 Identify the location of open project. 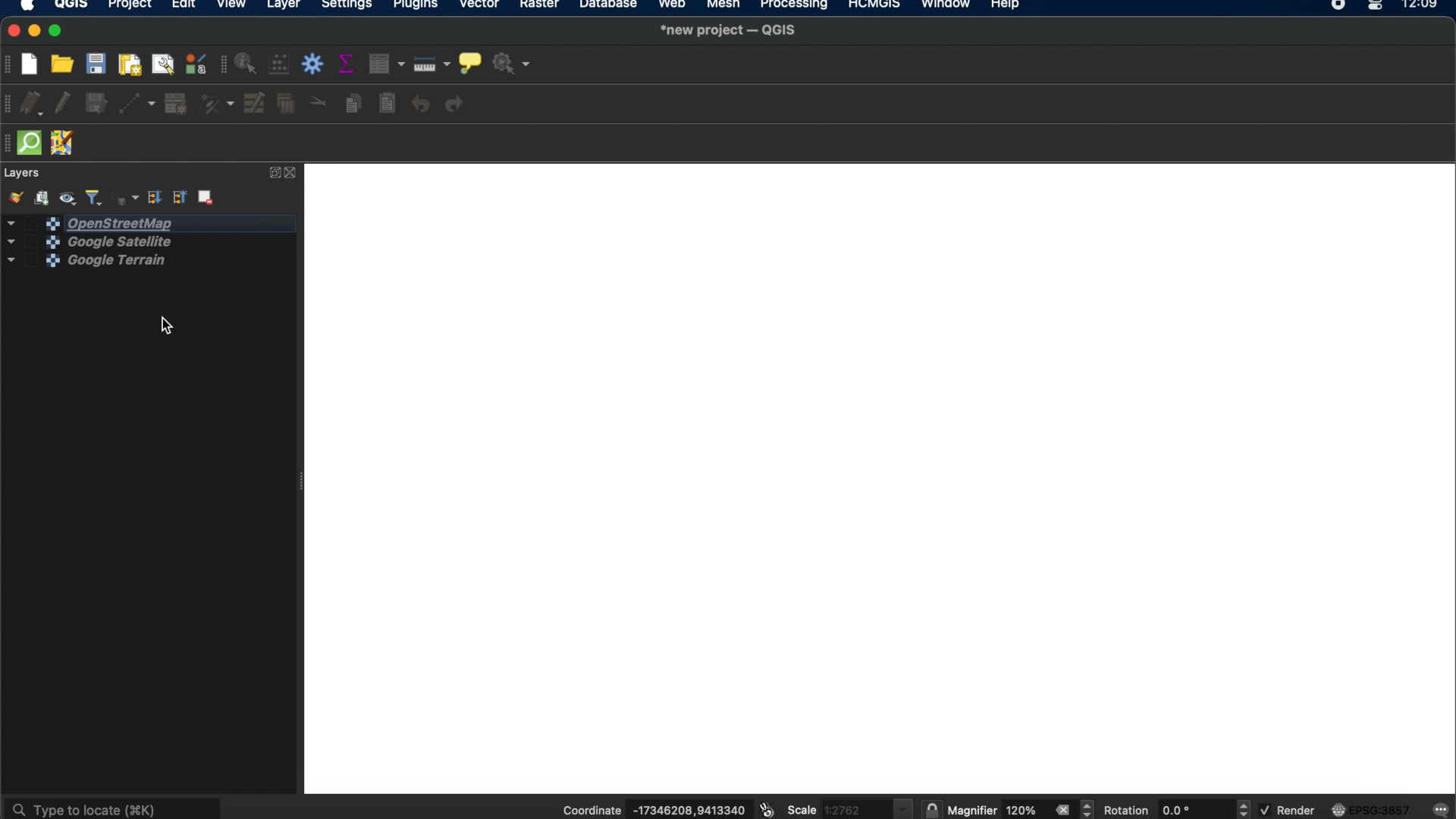
(64, 64).